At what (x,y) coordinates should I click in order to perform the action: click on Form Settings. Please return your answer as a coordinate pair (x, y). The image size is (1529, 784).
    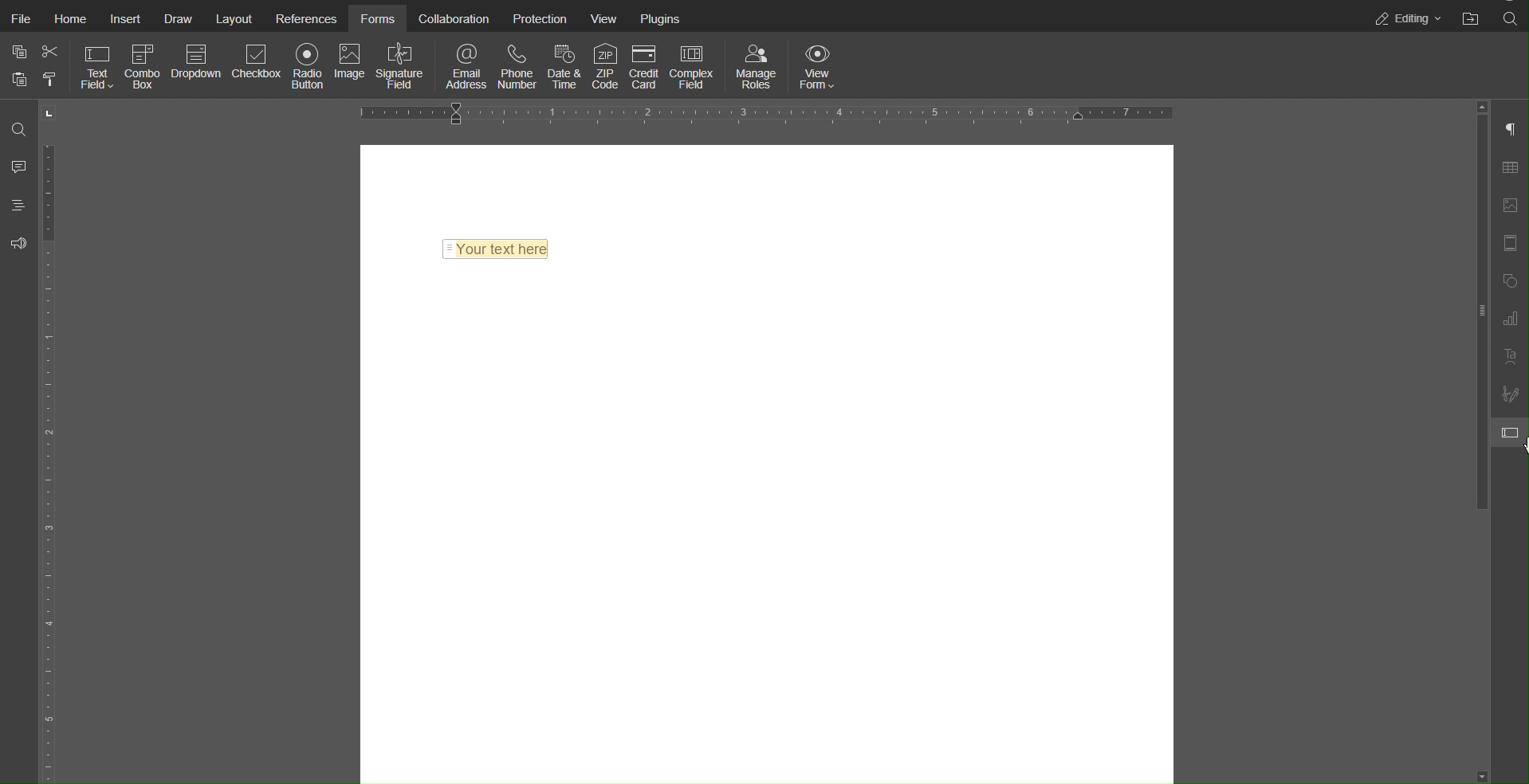
    Looking at the image, I should click on (1511, 436).